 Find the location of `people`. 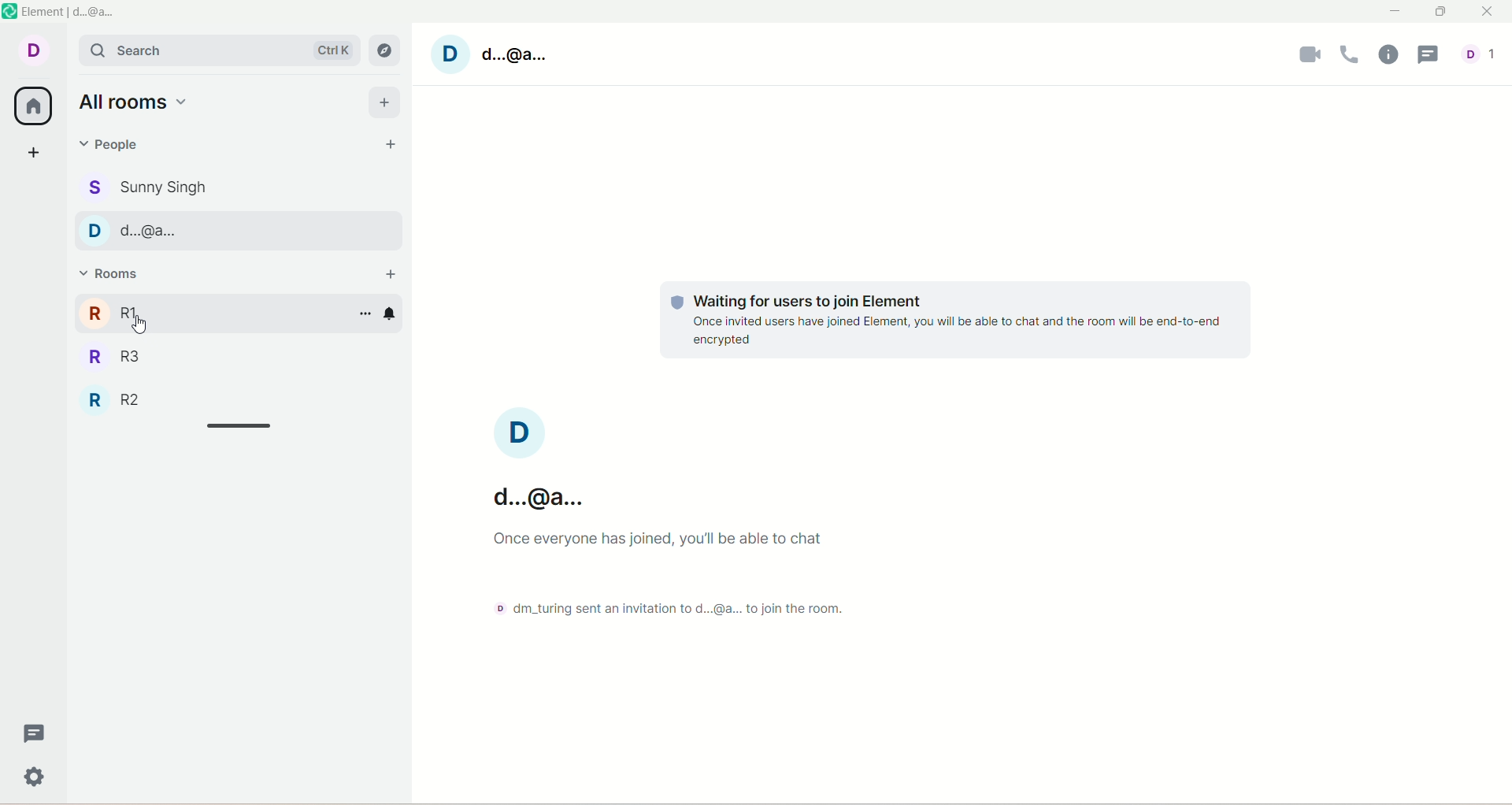

people is located at coordinates (154, 230).